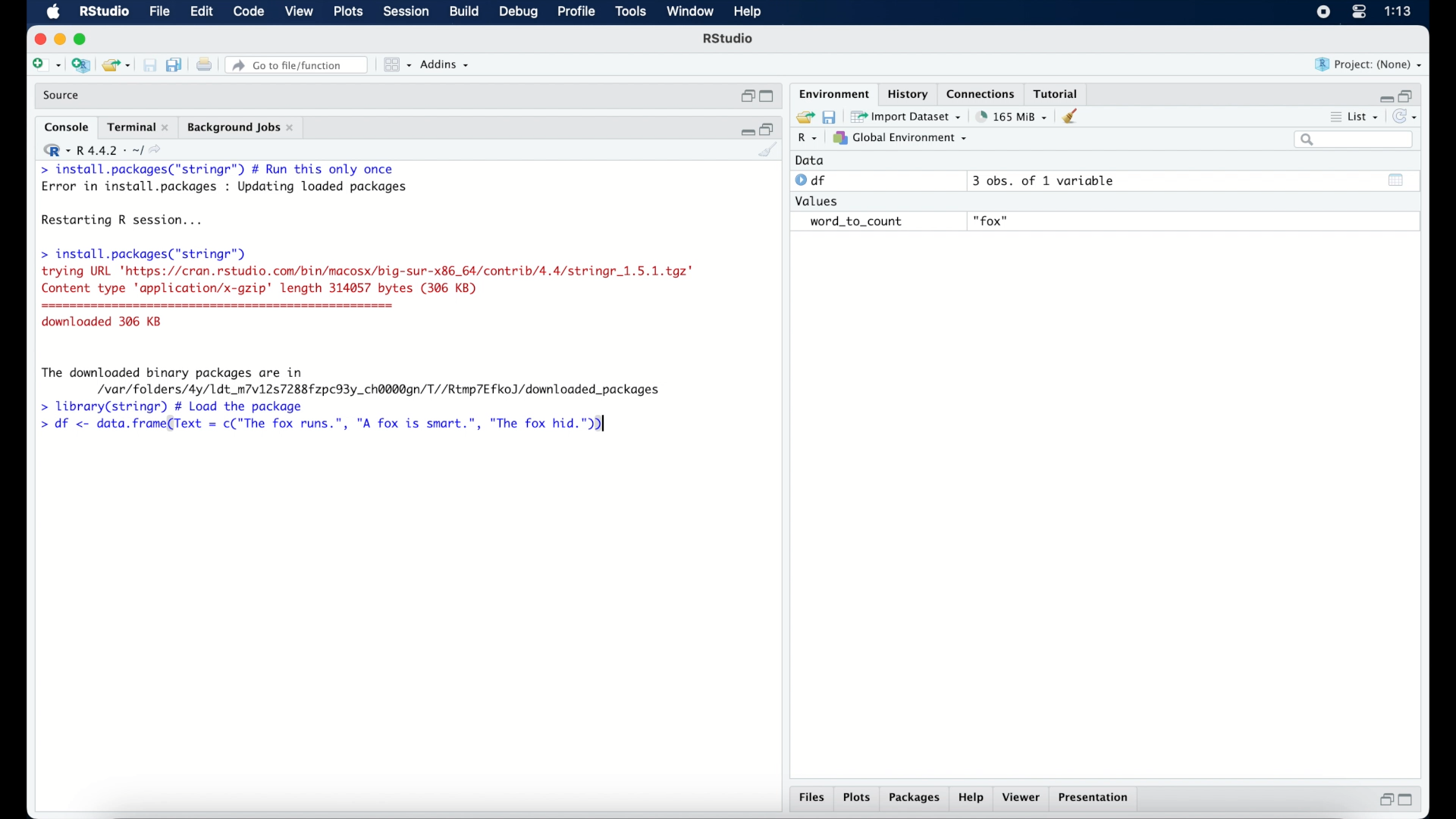  What do you see at coordinates (810, 160) in the screenshot?
I see `data` at bounding box center [810, 160].